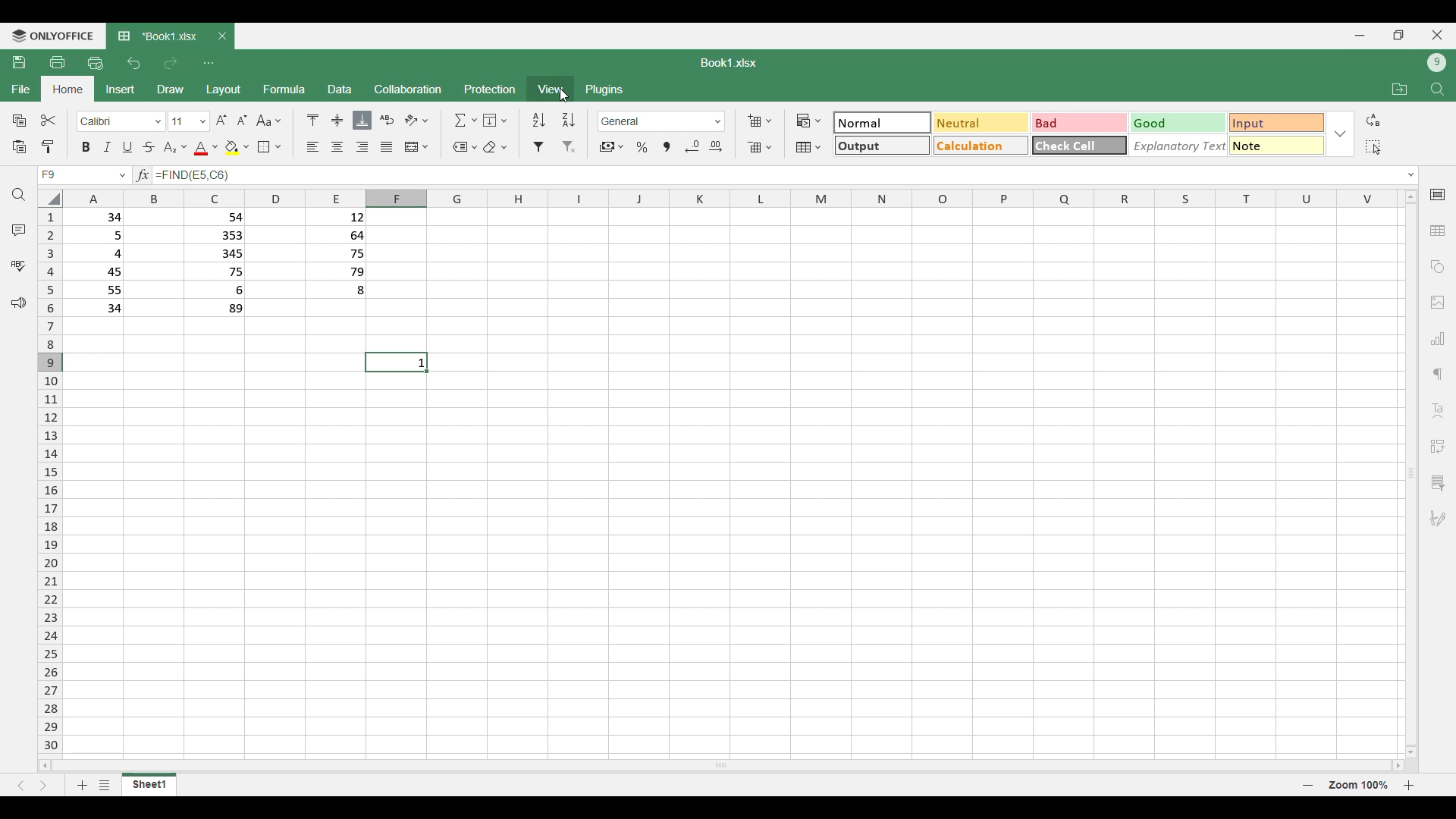 This screenshot has width=1456, height=819. Describe the element at coordinates (1412, 752) in the screenshot. I see `move down` at that location.